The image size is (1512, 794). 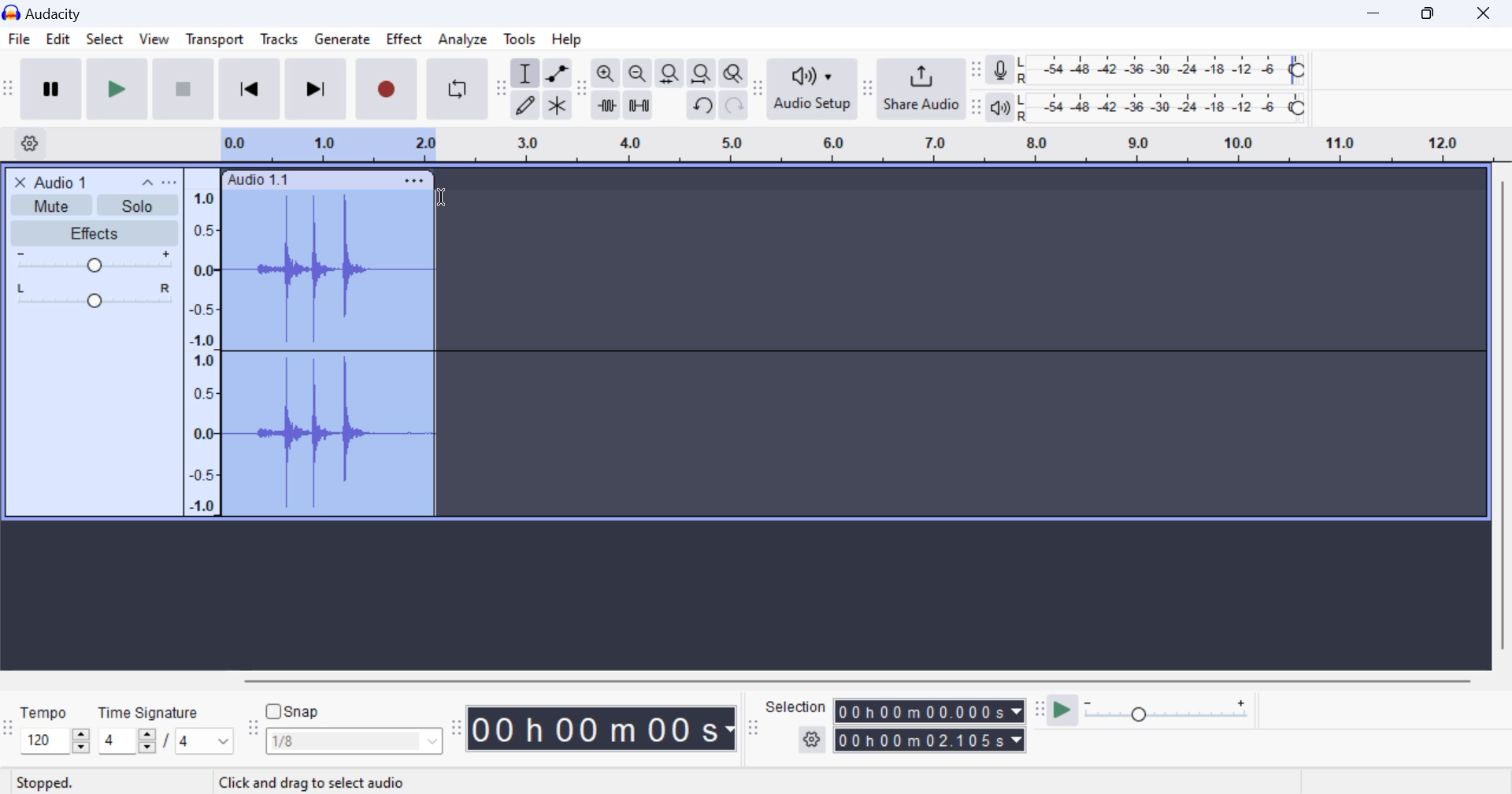 I want to click on Selection, so click(x=796, y=707).